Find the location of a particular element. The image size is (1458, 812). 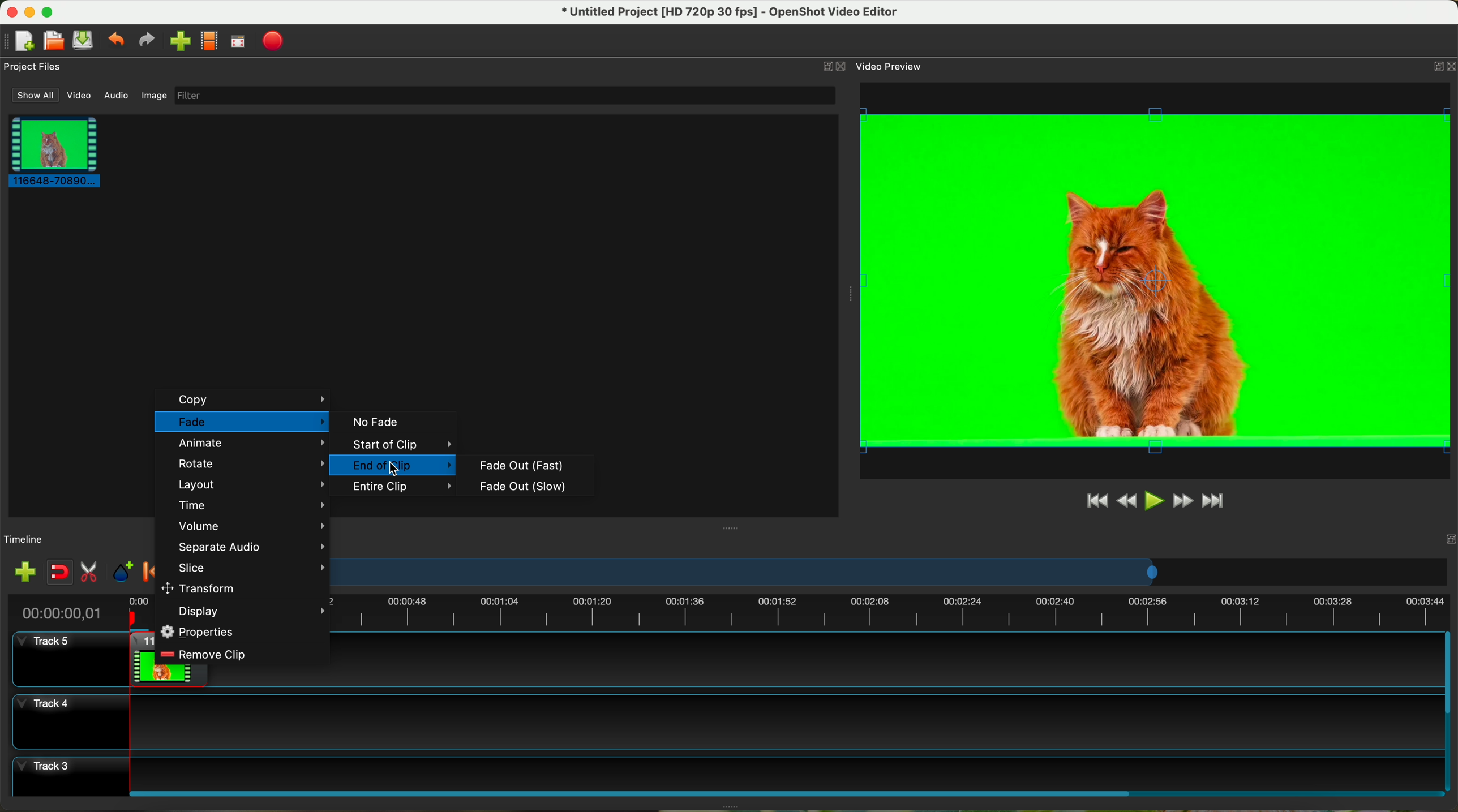

minimize program is located at coordinates (31, 12).